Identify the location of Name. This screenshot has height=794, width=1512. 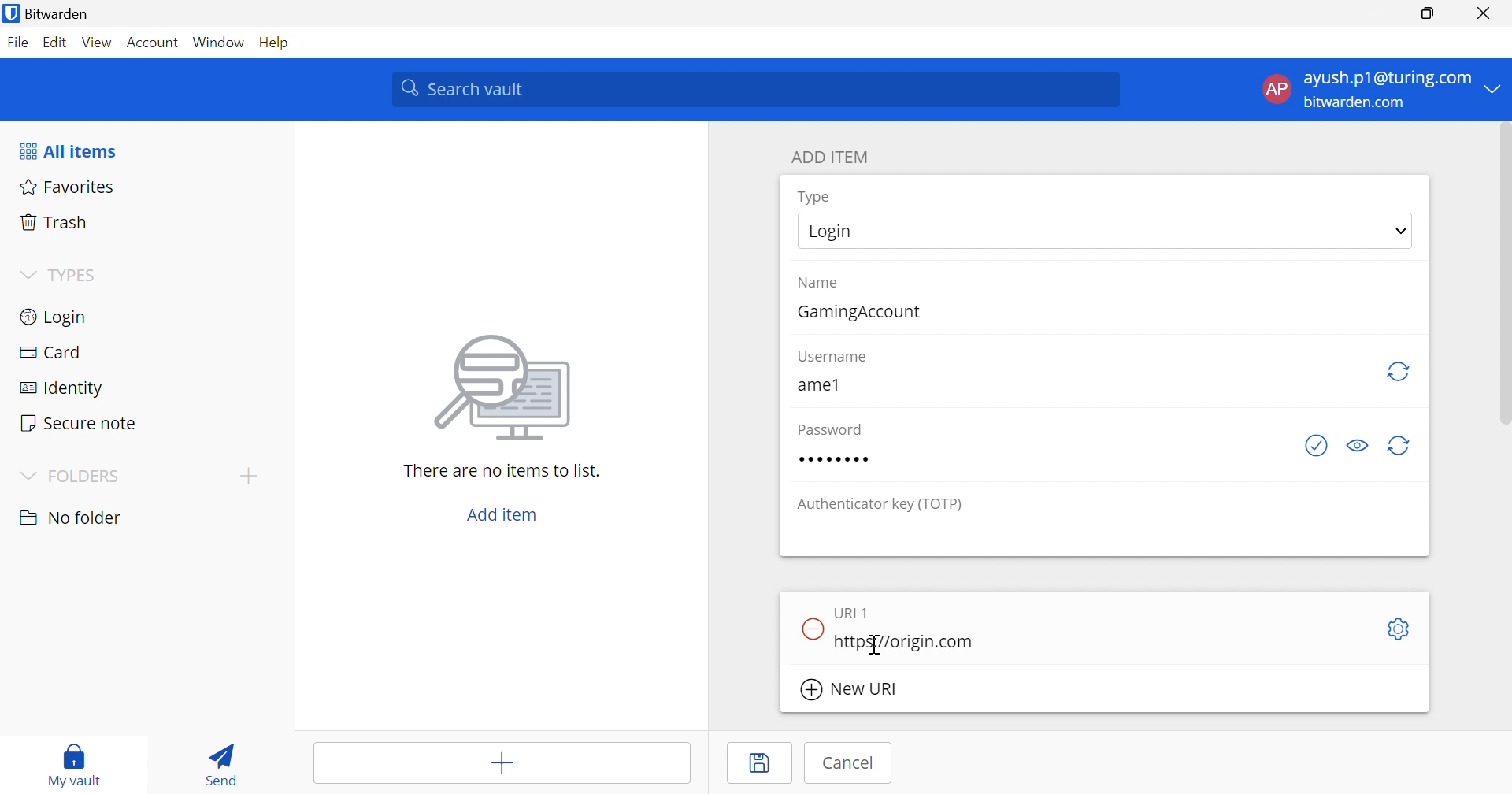
(821, 284).